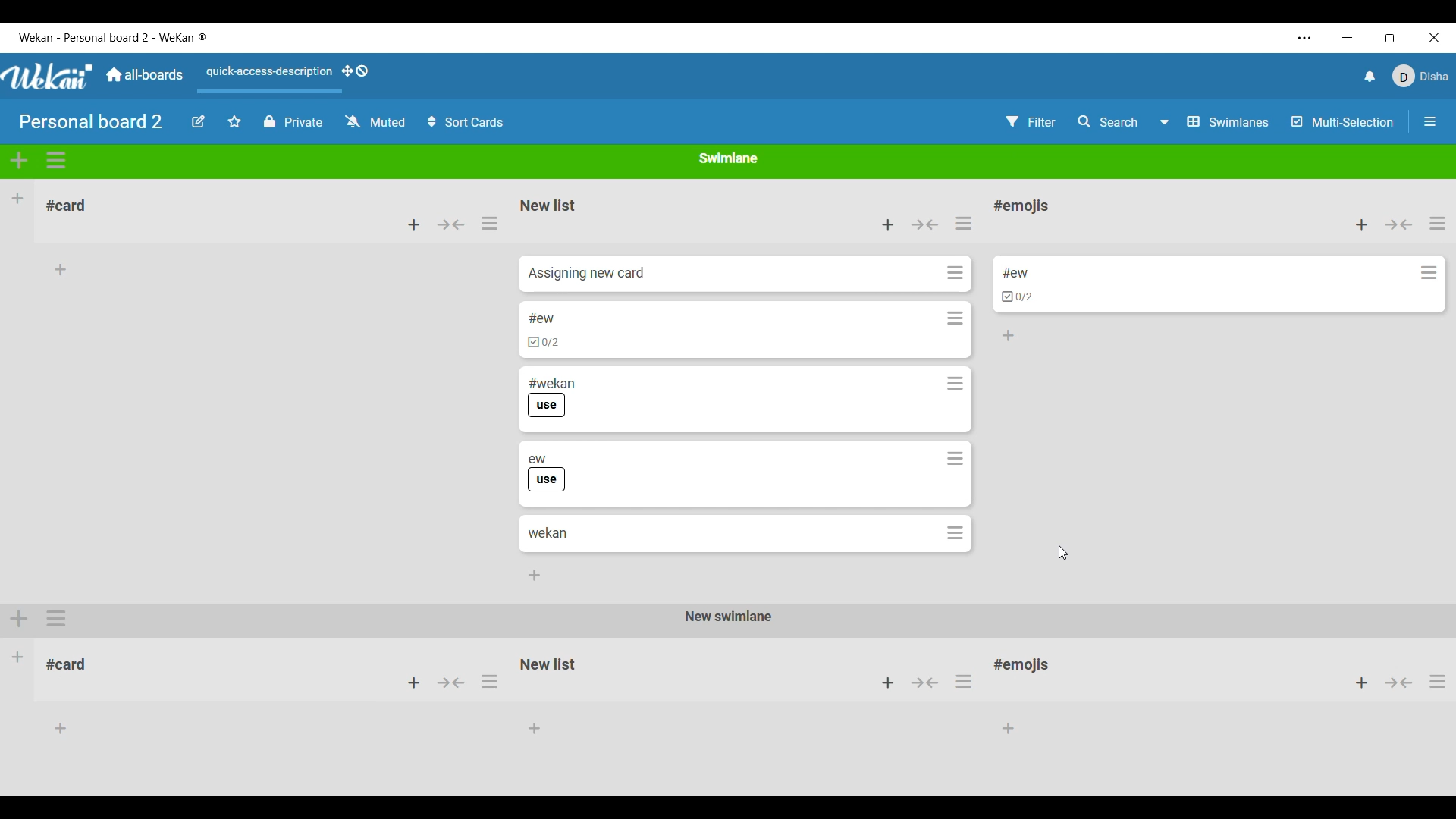 This screenshot has width=1456, height=819. I want to click on selecting list actions, so click(495, 221).